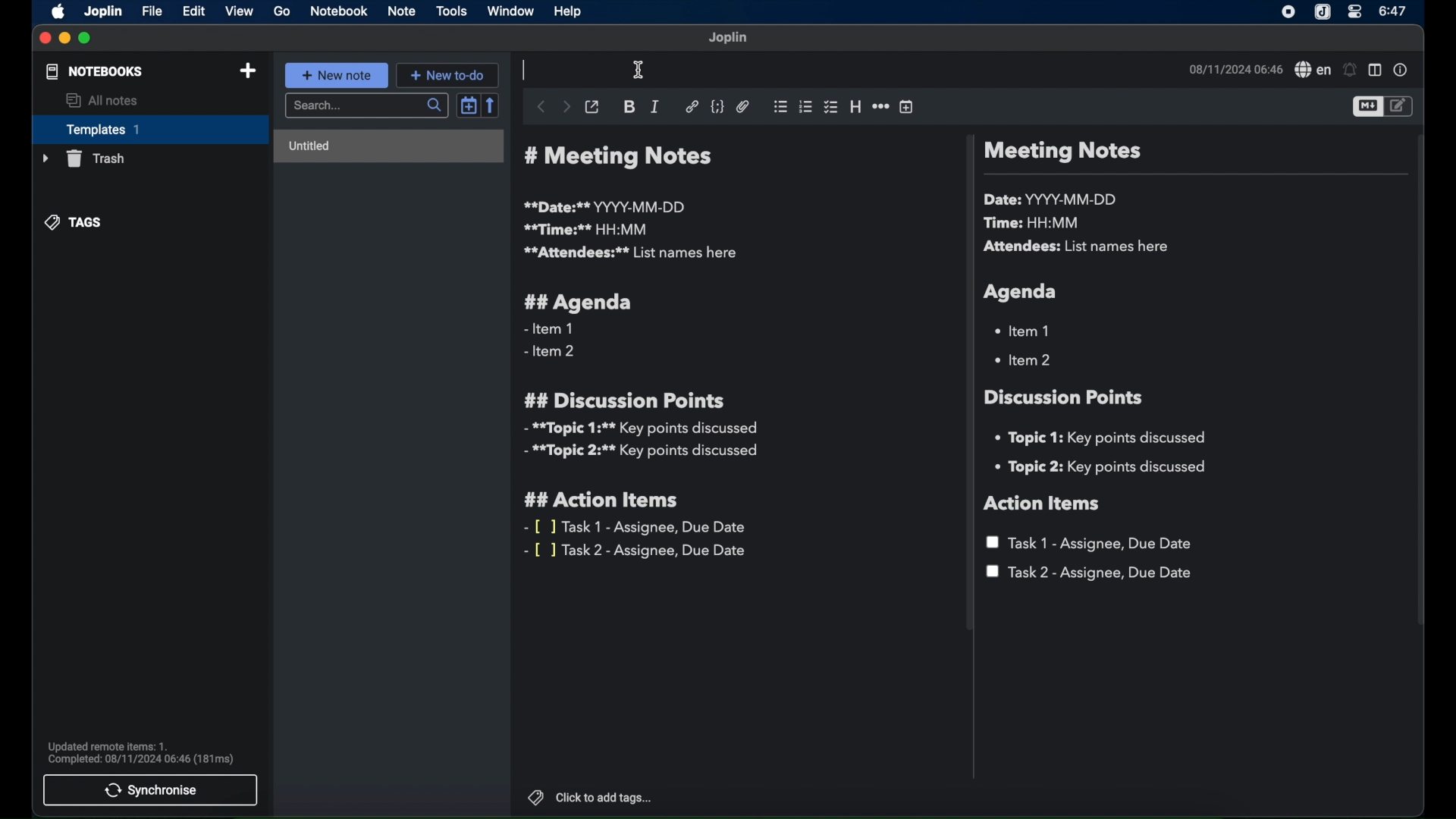  Describe the element at coordinates (338, 12) in the screenshot. I see `notebook` at that location.